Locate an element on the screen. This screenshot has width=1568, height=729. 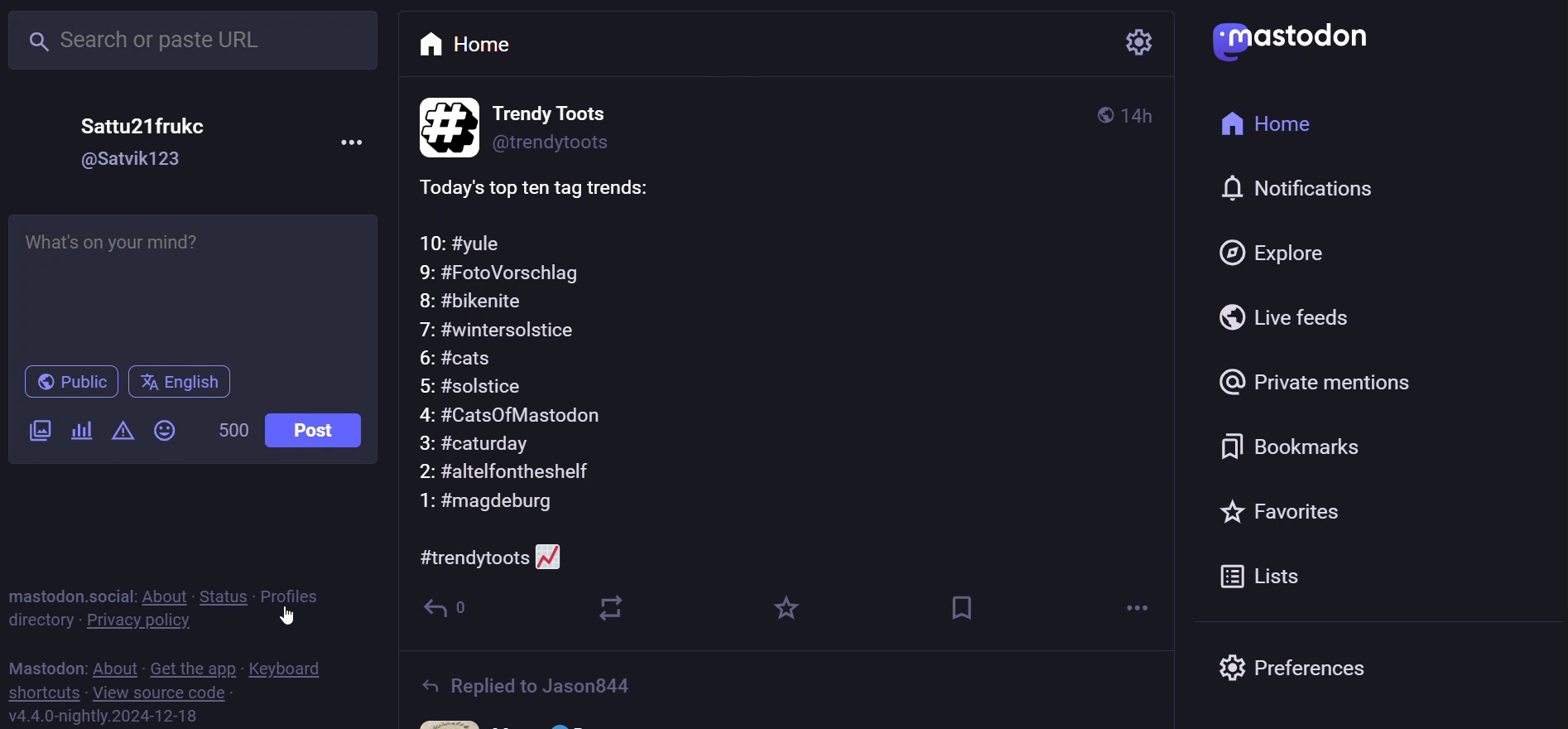
mastodon is located at coordinates (46, 664).